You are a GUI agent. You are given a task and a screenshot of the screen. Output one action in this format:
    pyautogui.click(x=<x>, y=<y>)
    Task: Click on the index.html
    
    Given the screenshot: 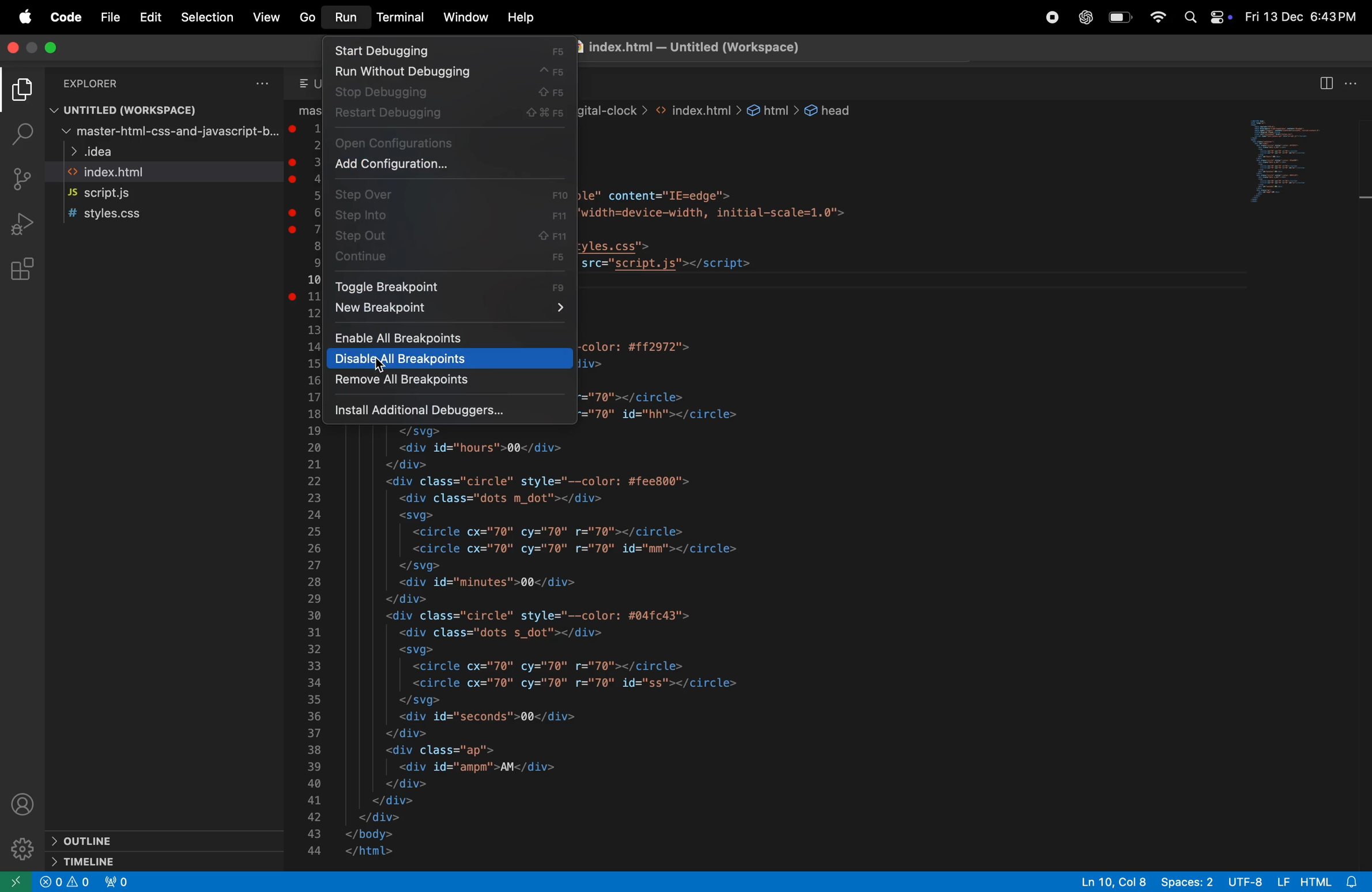 What is the action you would take?
    pyautogui.click(x=118, y=173)
    